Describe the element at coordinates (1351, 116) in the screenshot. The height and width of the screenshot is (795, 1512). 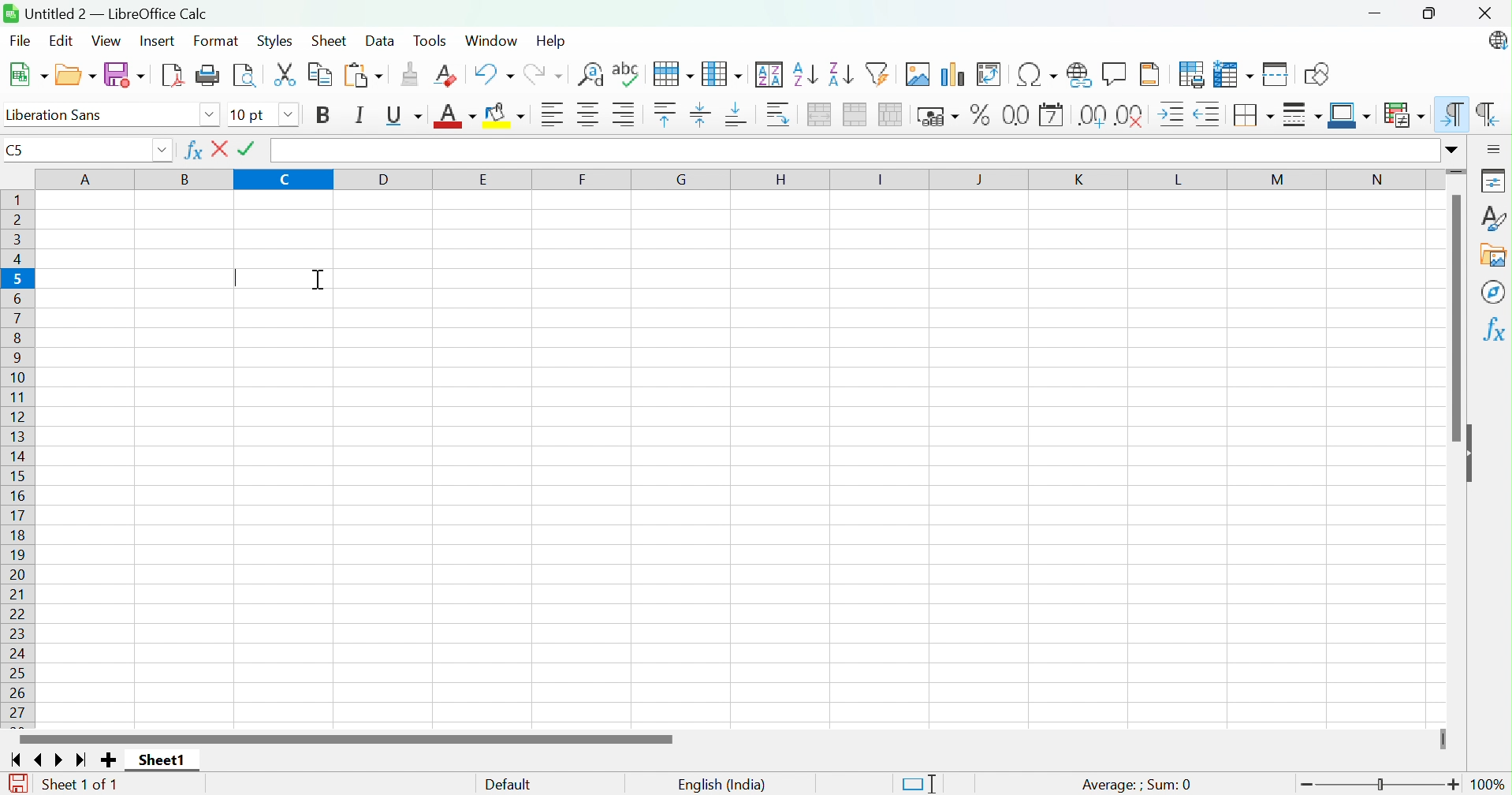
I see `Border color` at that location.